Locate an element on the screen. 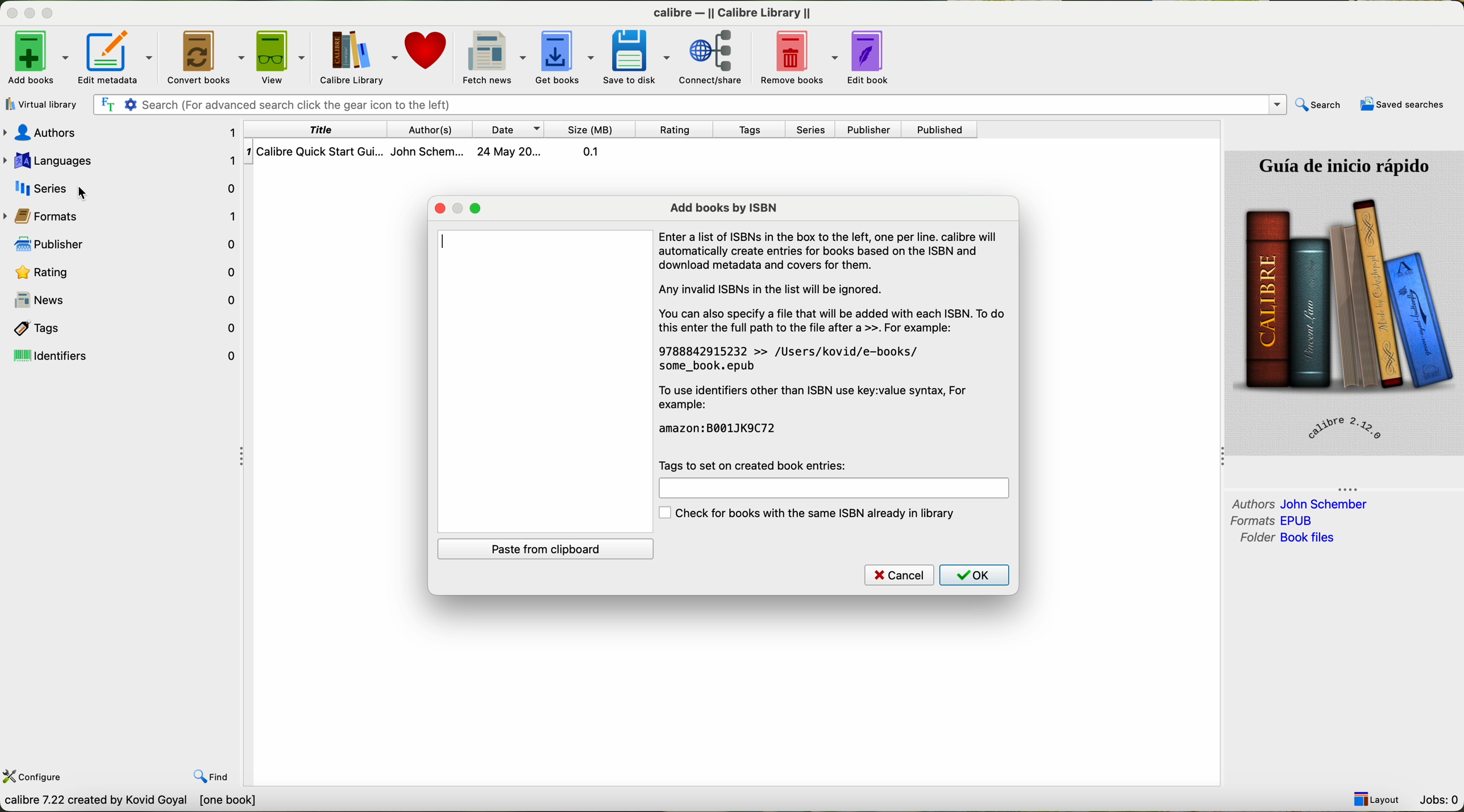 Image resolution: width=1464 pixels, height=812 pixels. Languages is located at coordinates (124, 161).